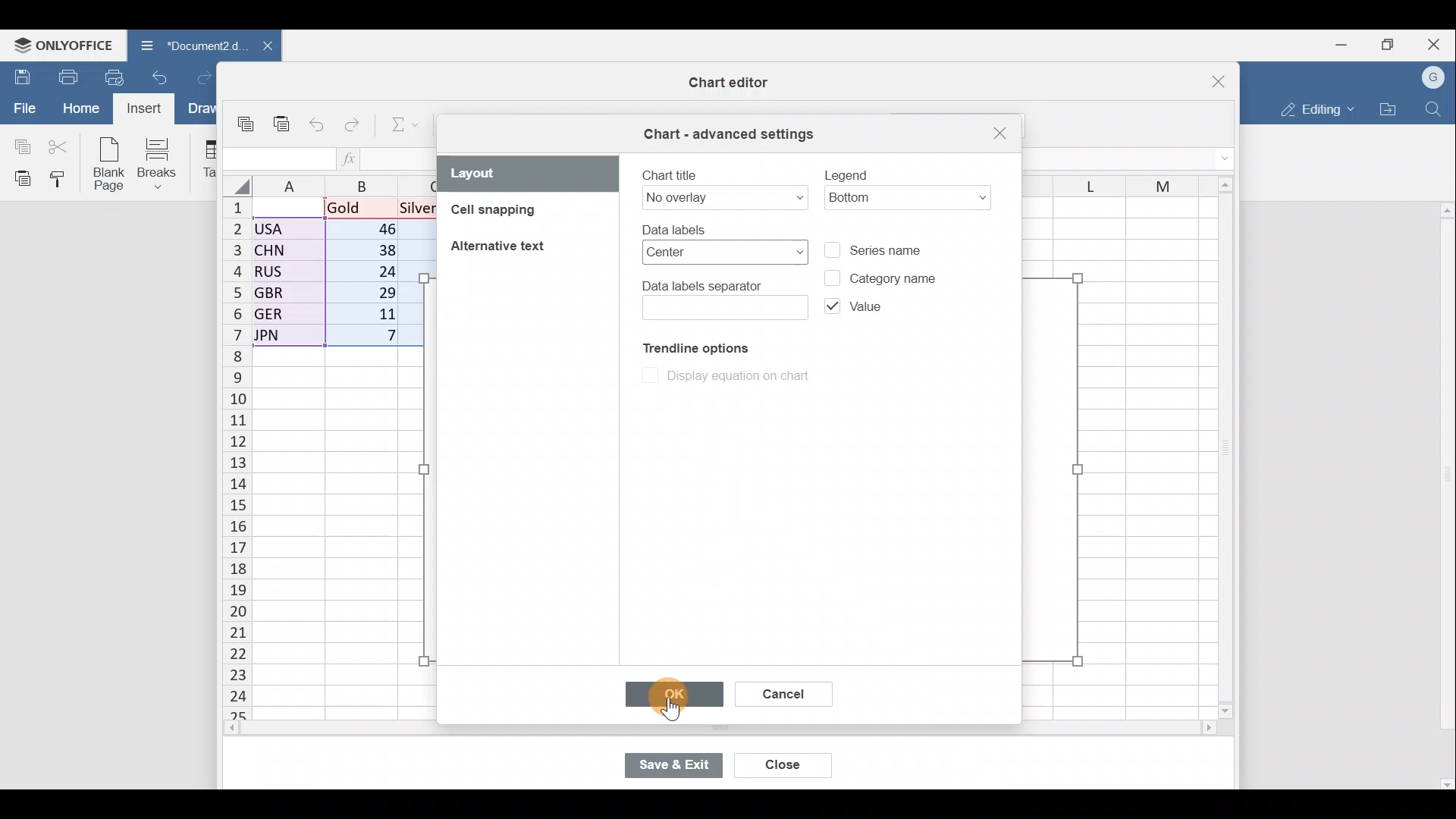 Image resolution: width=1456 pixels, height=819 pixels. What do you see at coordinates (1218, 443) in the screenshot?
I see `Scroll bar` at bounding box center [1218, 443].